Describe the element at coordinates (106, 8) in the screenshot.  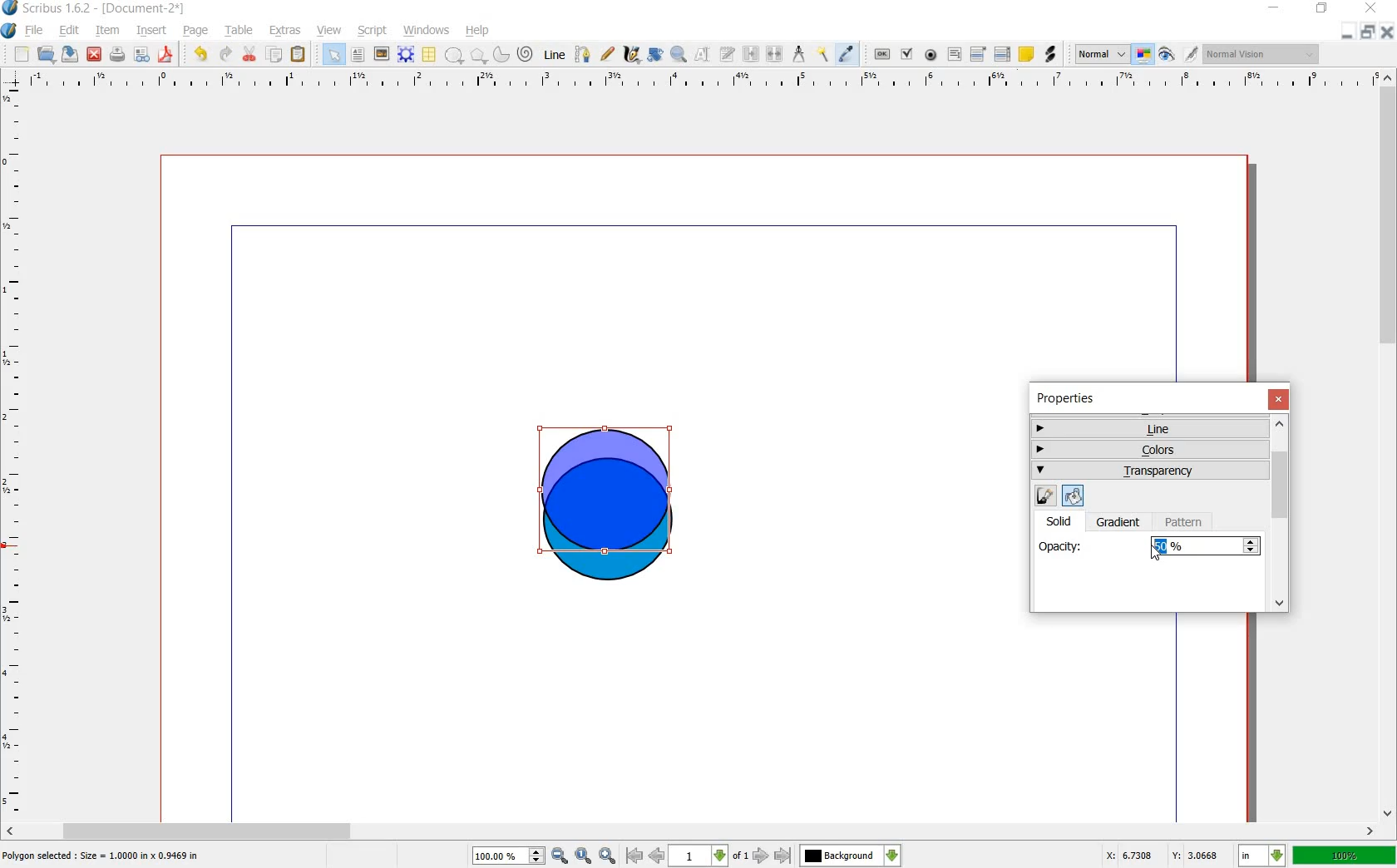
I see `scribus 1.6.2 - [document-2*]` at that location.